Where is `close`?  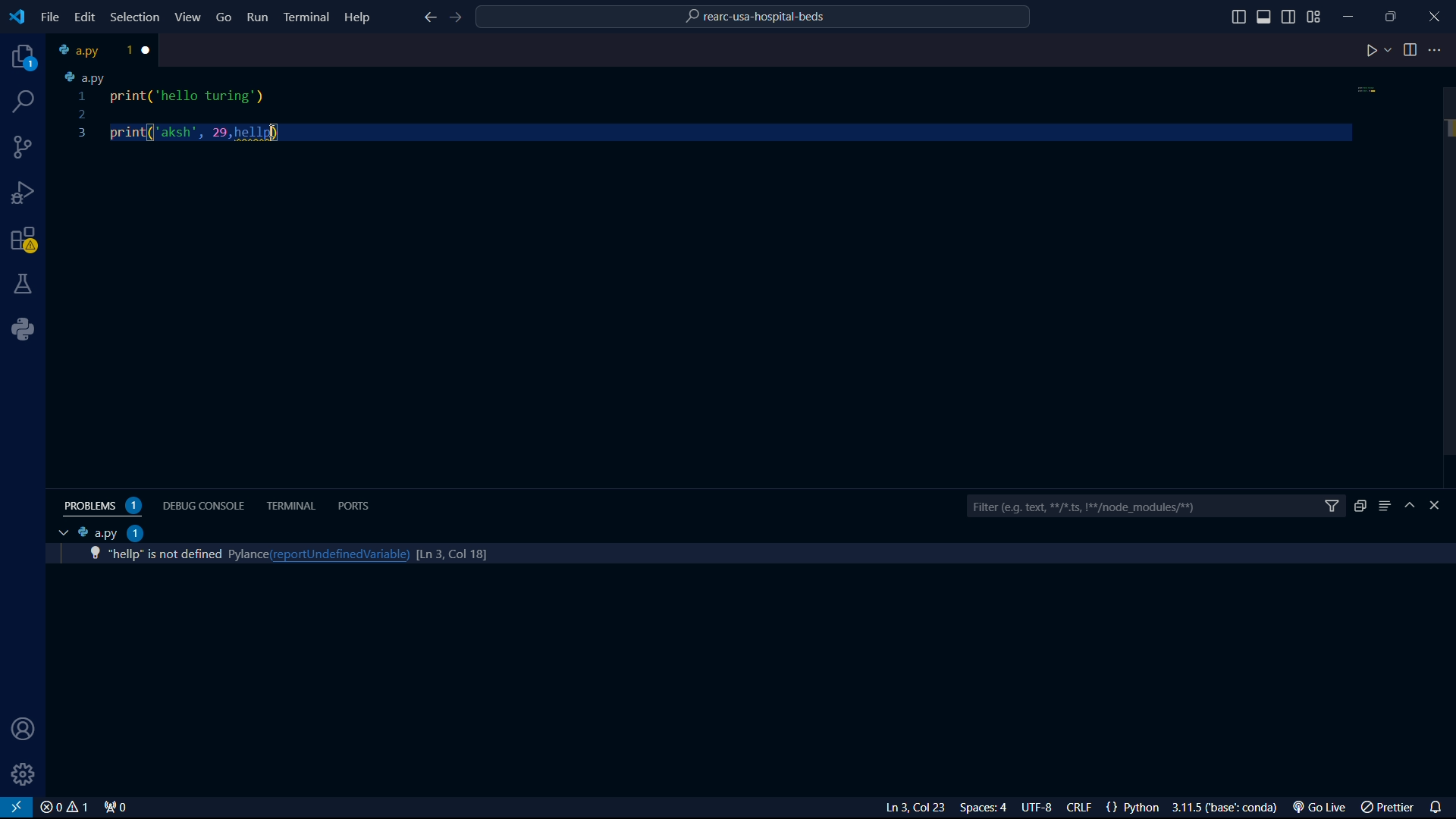 close is located at coordinates (149, 50).